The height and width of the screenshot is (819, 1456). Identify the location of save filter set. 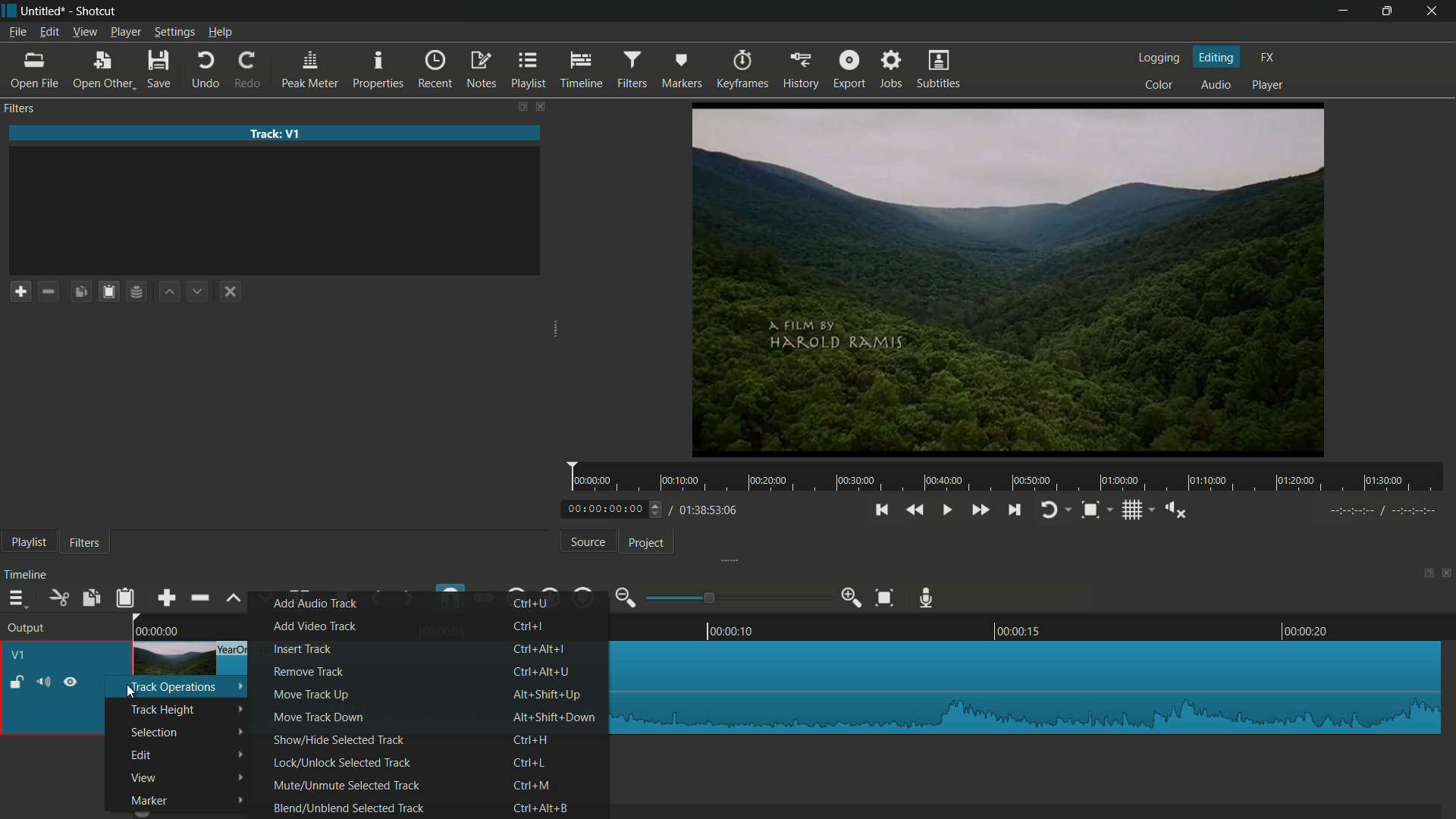
(136, 292).